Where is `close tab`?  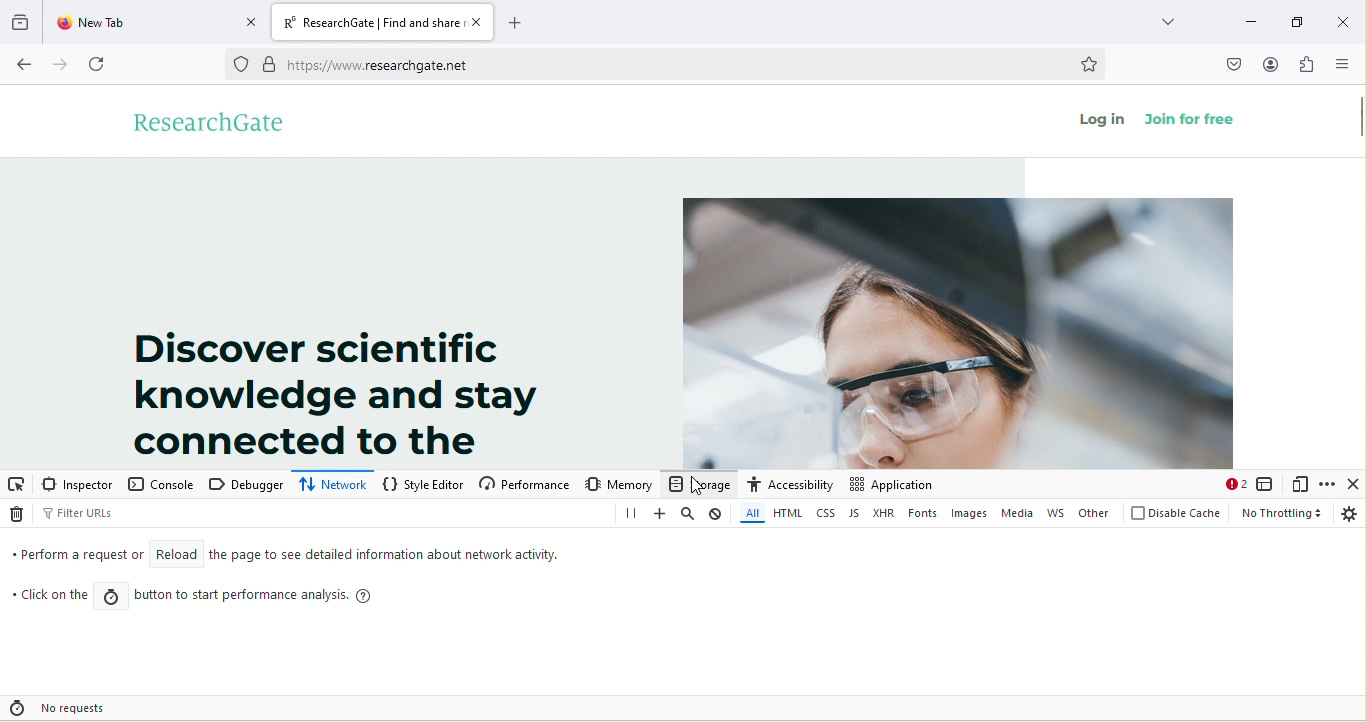 close tab is located at coordinates (477, 23).